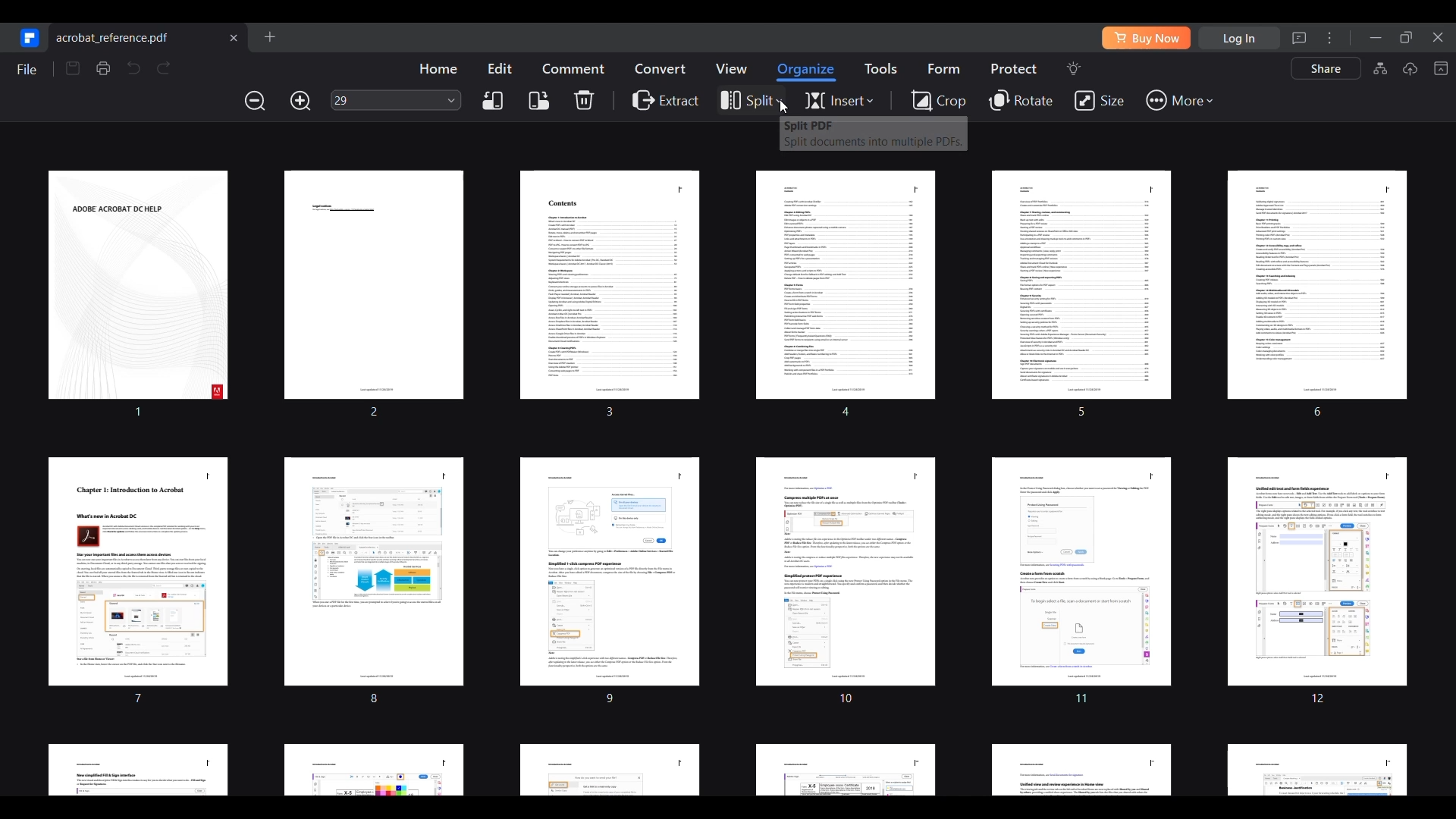 The image size is (1456, 819). I want to click on Minimize, so click(1376, 38).